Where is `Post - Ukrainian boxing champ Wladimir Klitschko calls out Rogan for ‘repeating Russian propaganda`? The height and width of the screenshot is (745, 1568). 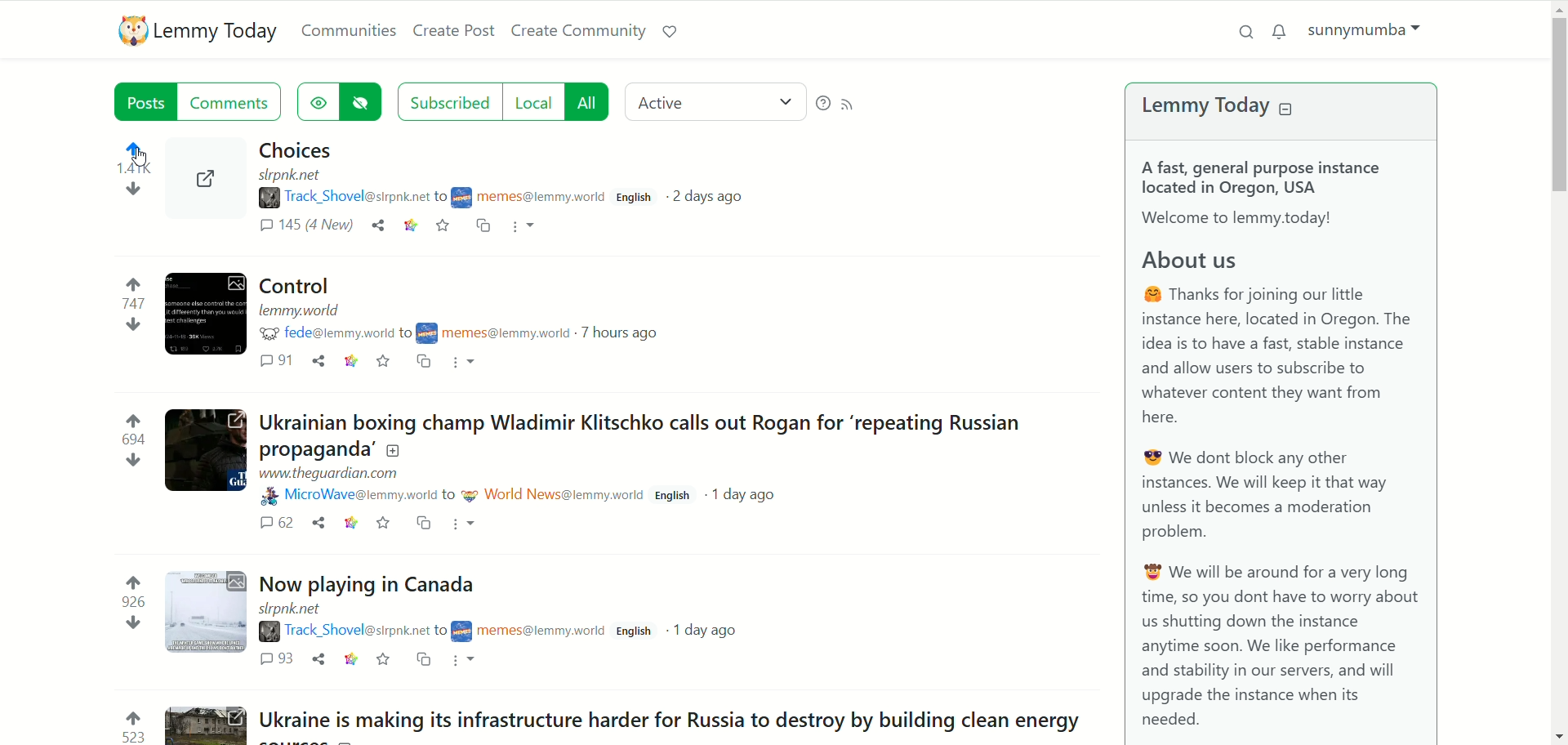 Post - Ukrainian boxing champ Wladimir Klitschko calls out Rogan for ‘repeating Russian propaganda is located at coordinates (670, 435).